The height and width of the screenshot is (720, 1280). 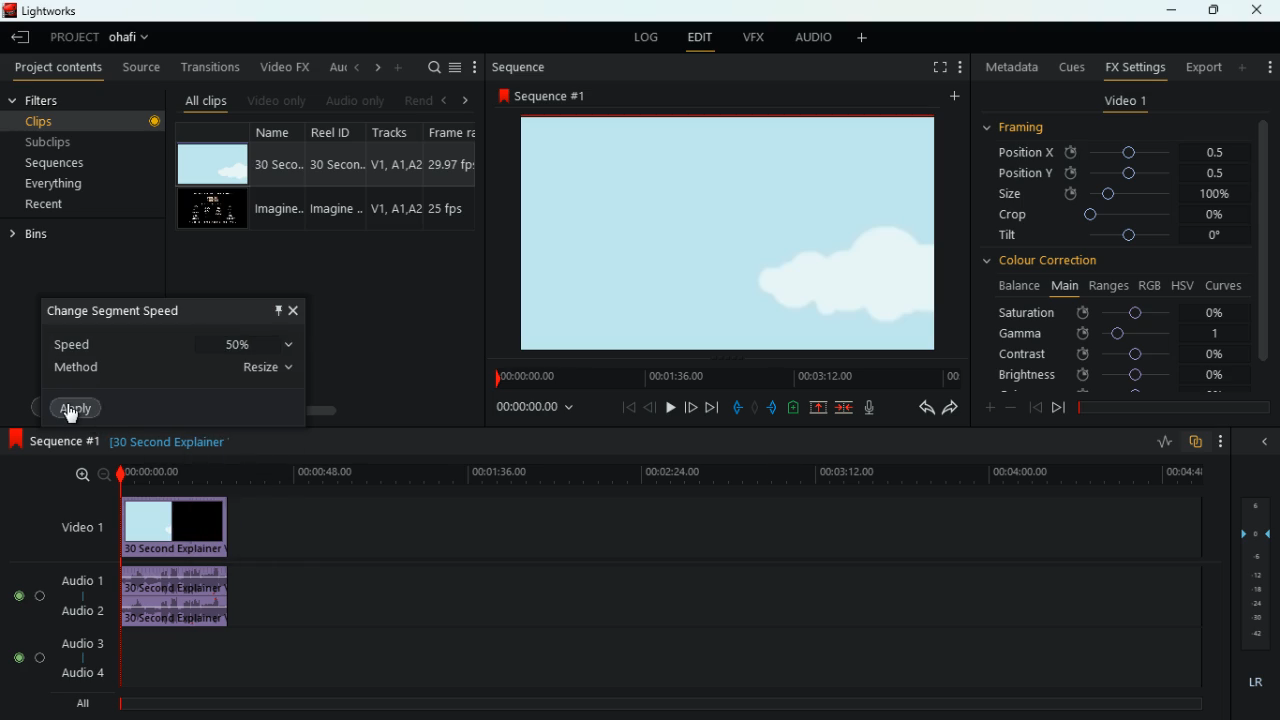 What do you see at coordinates (1110, 355) in the screenshot?
I see `contrast` at bounding box center [1110, 355].